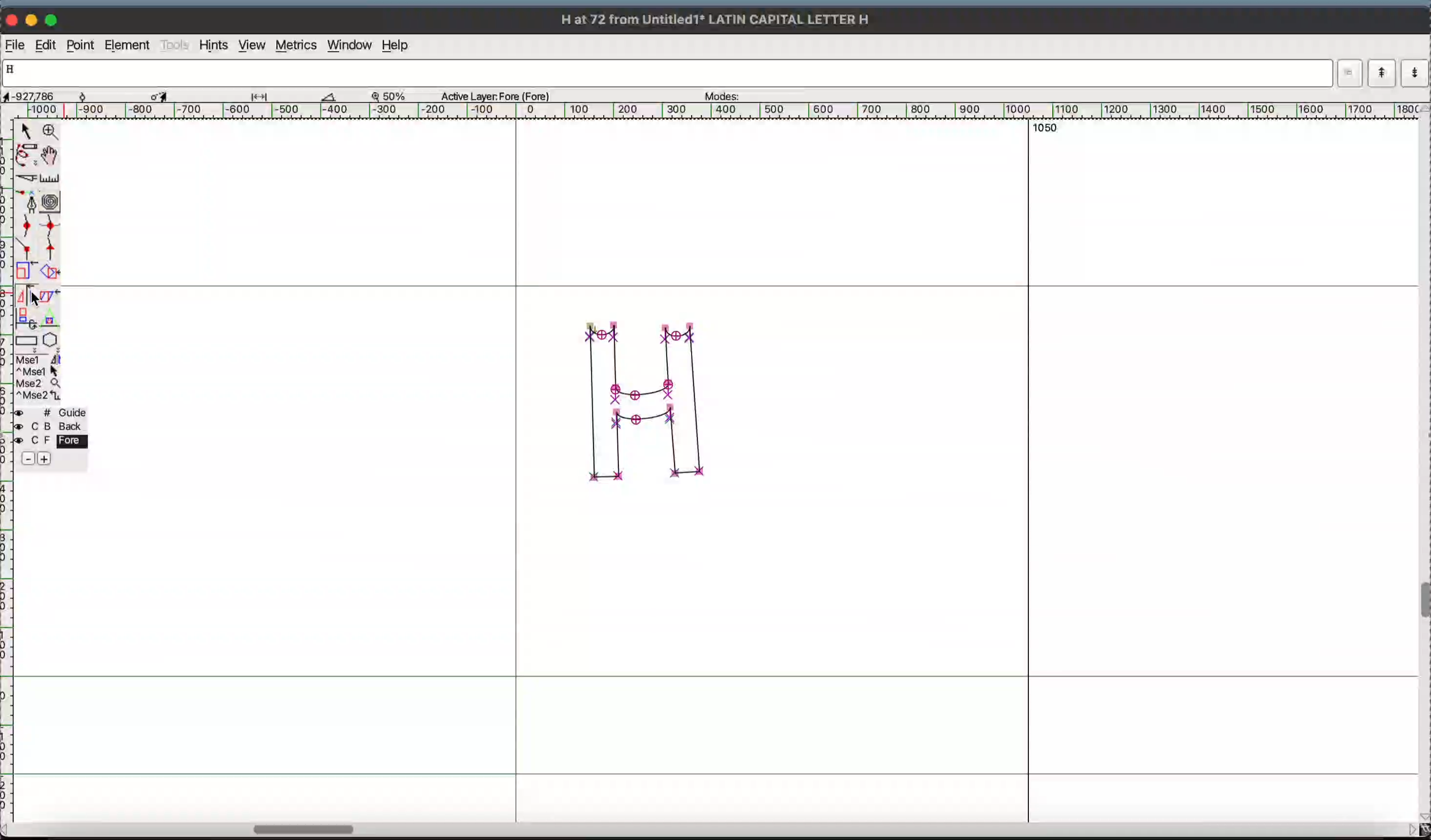 The image size is (1431, 840). Describe the element at coordinates (398, 43) in the screenshot. I see `help` at that location.